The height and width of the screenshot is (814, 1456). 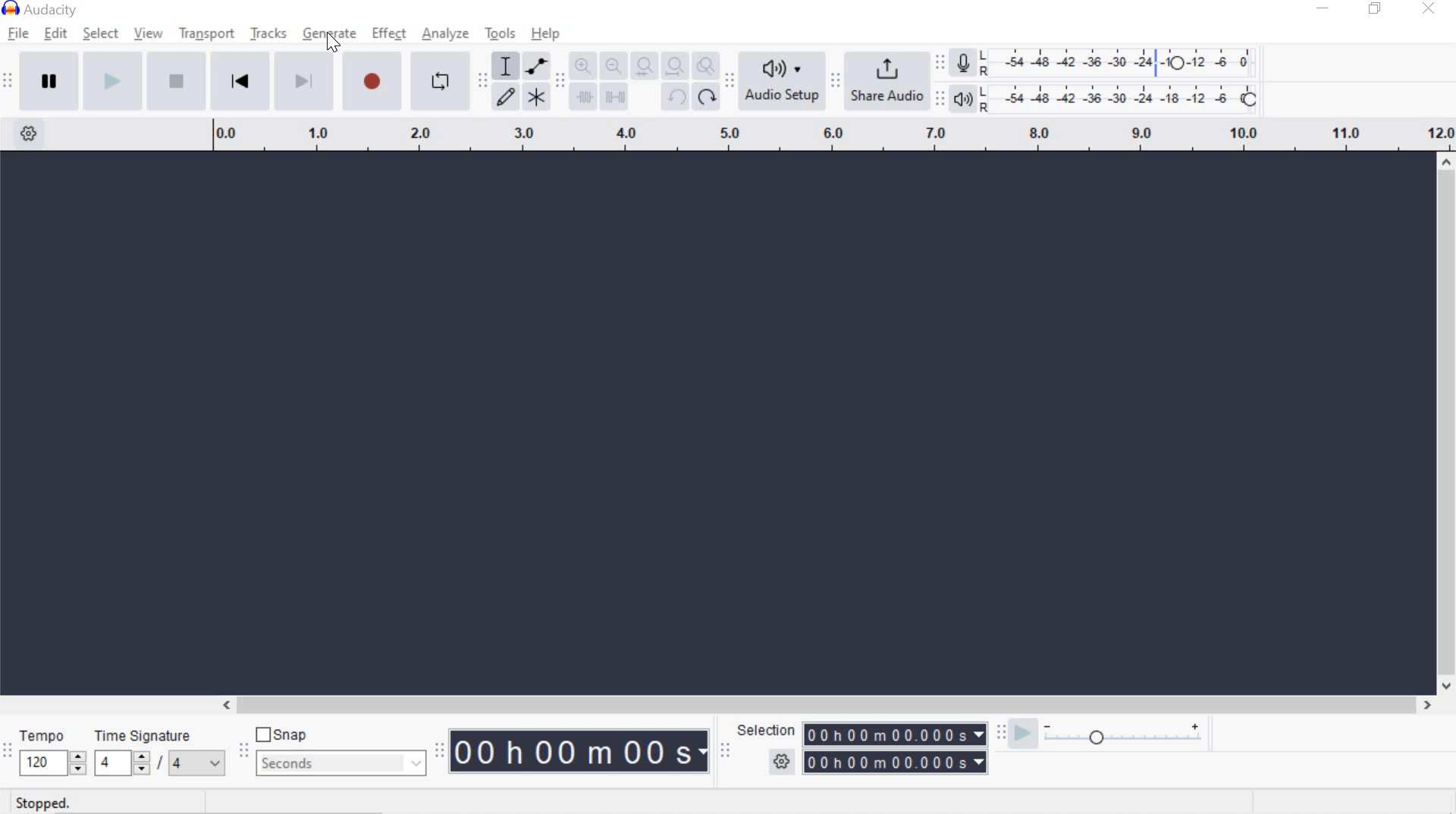 I want to click on time selection, so click(x=725, y=753).